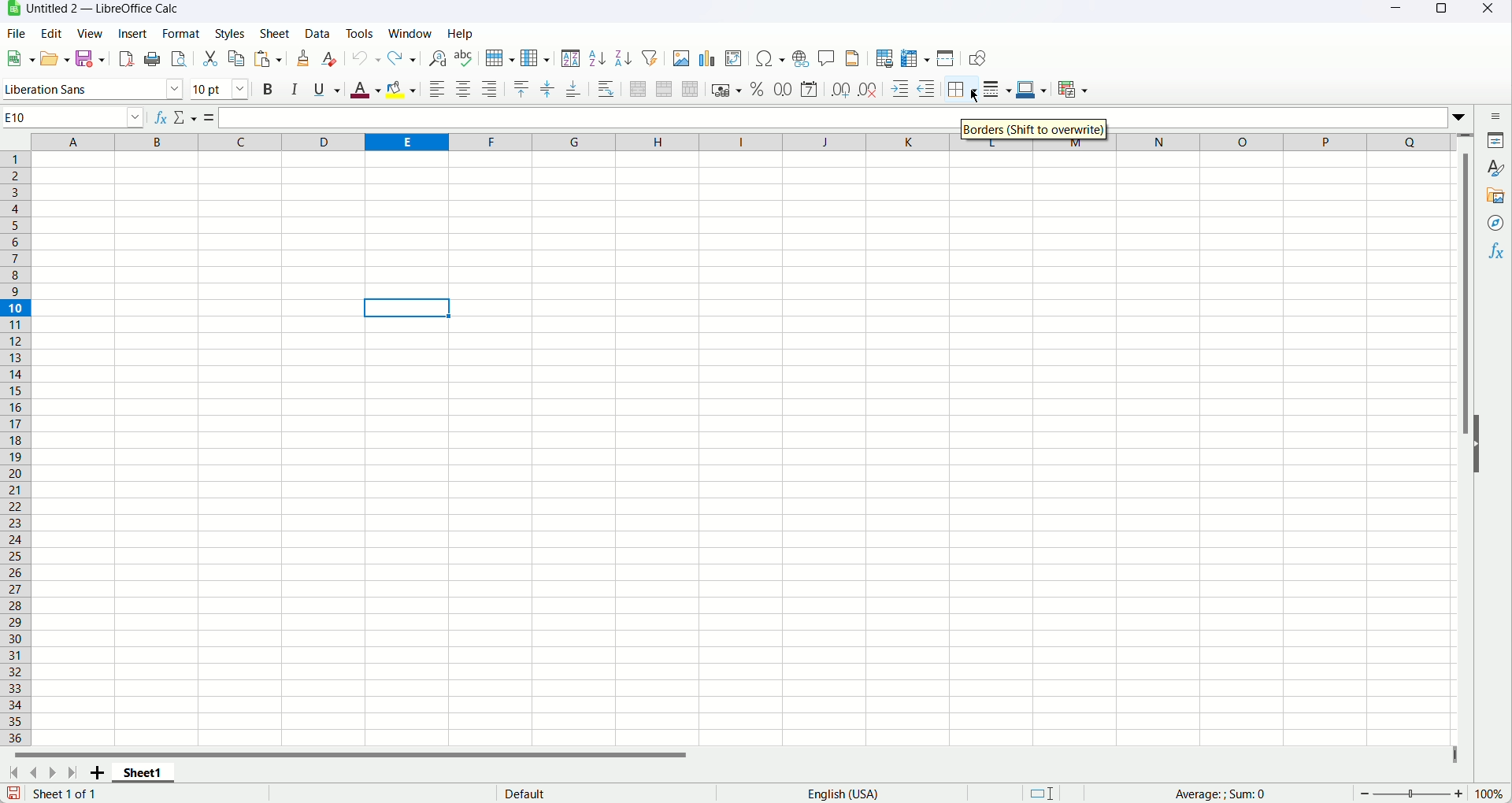 This screenshot has height=803, width=1512. Describe the element at coordinates (1463, 439) in the screenshot. I see `Vertical scroll bar` at that location.